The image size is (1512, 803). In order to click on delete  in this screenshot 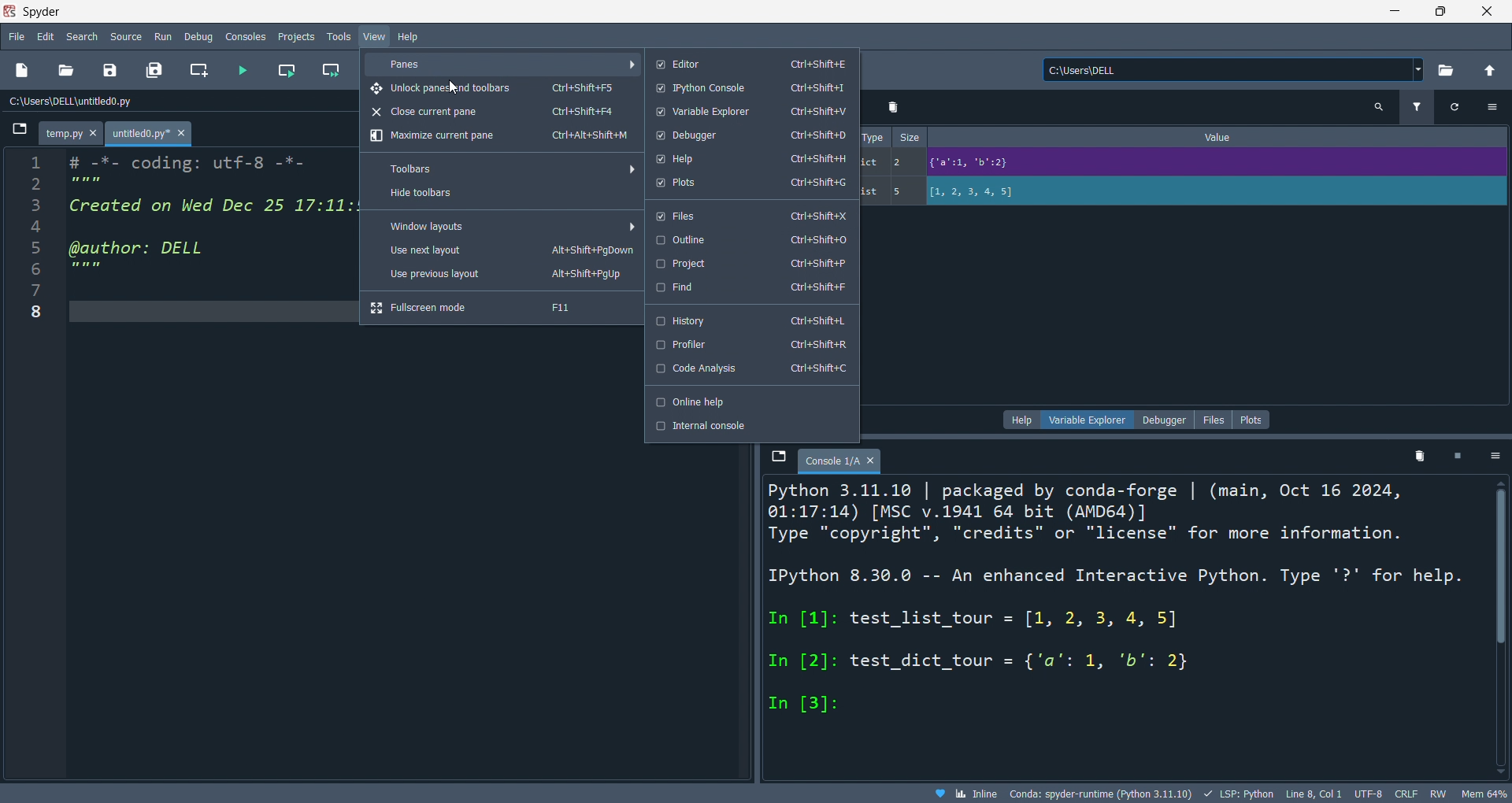, I will do `click(1421, 460)`.